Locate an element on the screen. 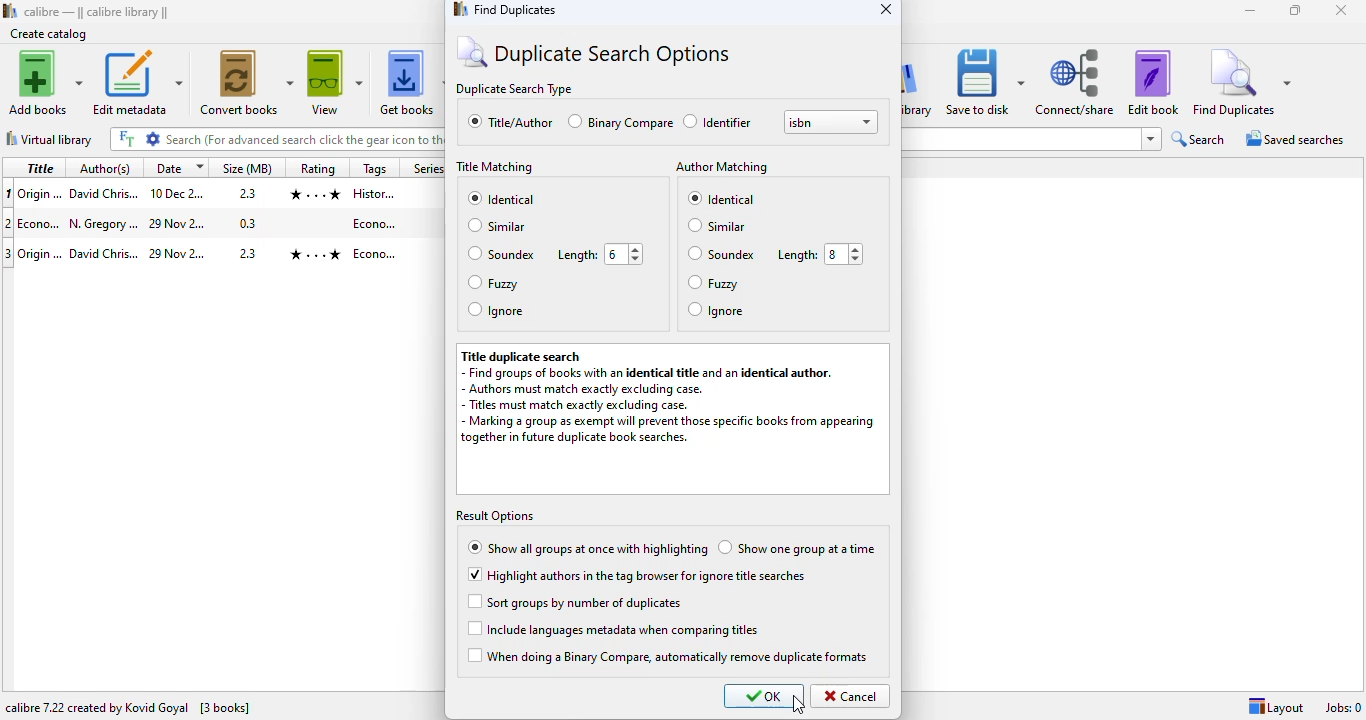  highlight authors in the tag browser for ignore title searches is located at coordinates (635, 574).